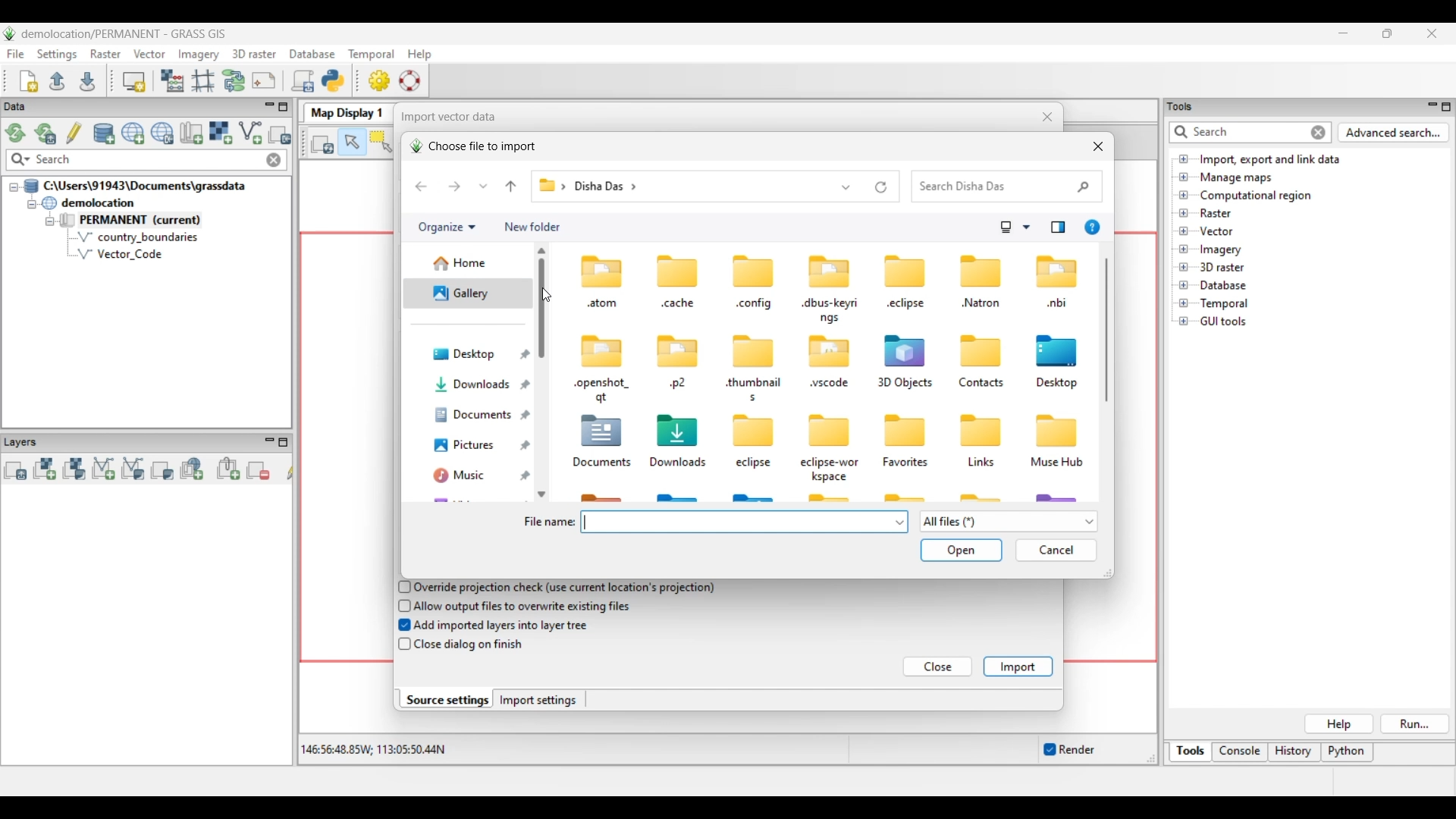 This screenshot has width=1456, height=819. What do you see at coordinates (28, 107) in the screenshot?
I see `Data` at bounding box center [28, 107].